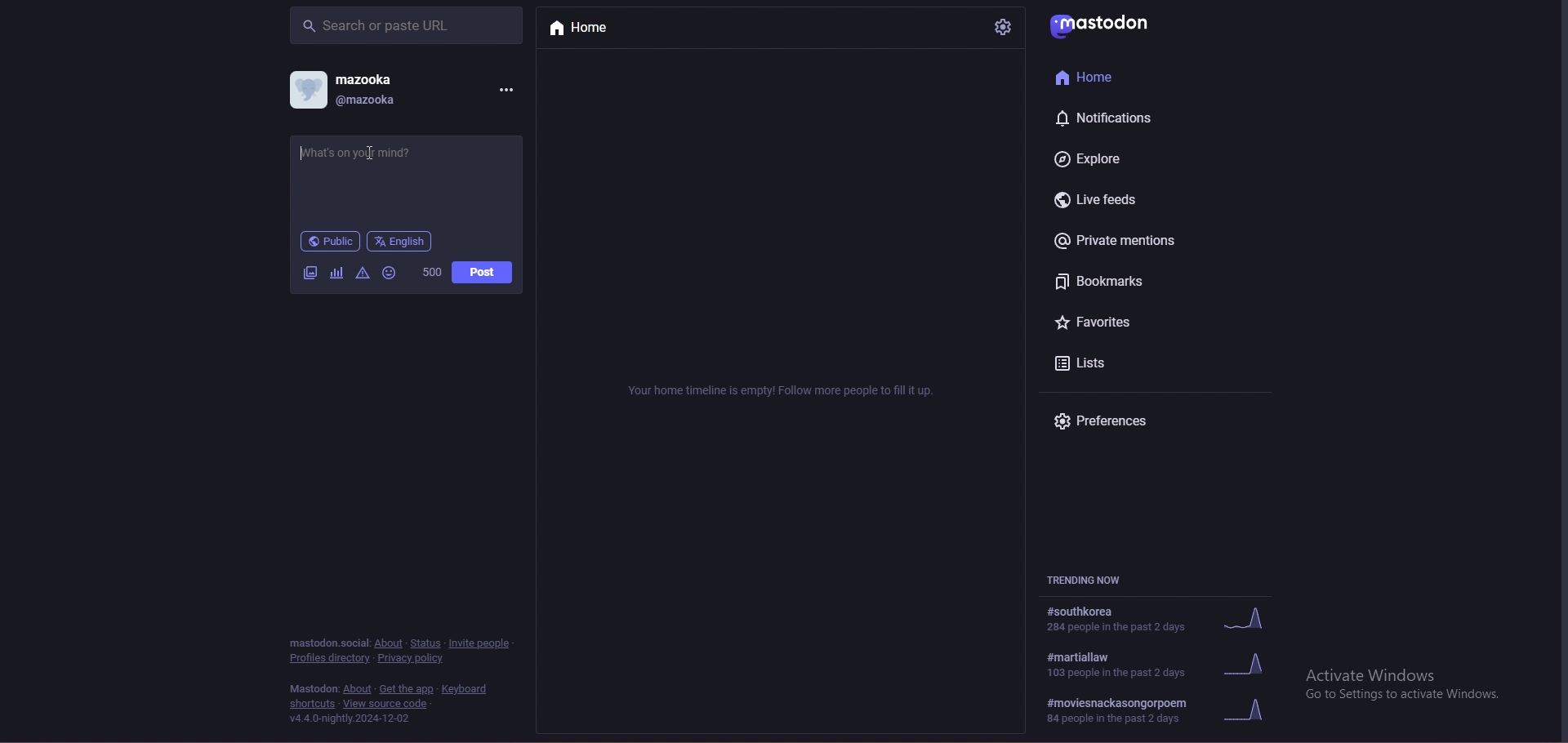  What do you see at coordinates (336, 274) in the screenshot?
I see `cafier they fear` at bounding box center [336, 274].